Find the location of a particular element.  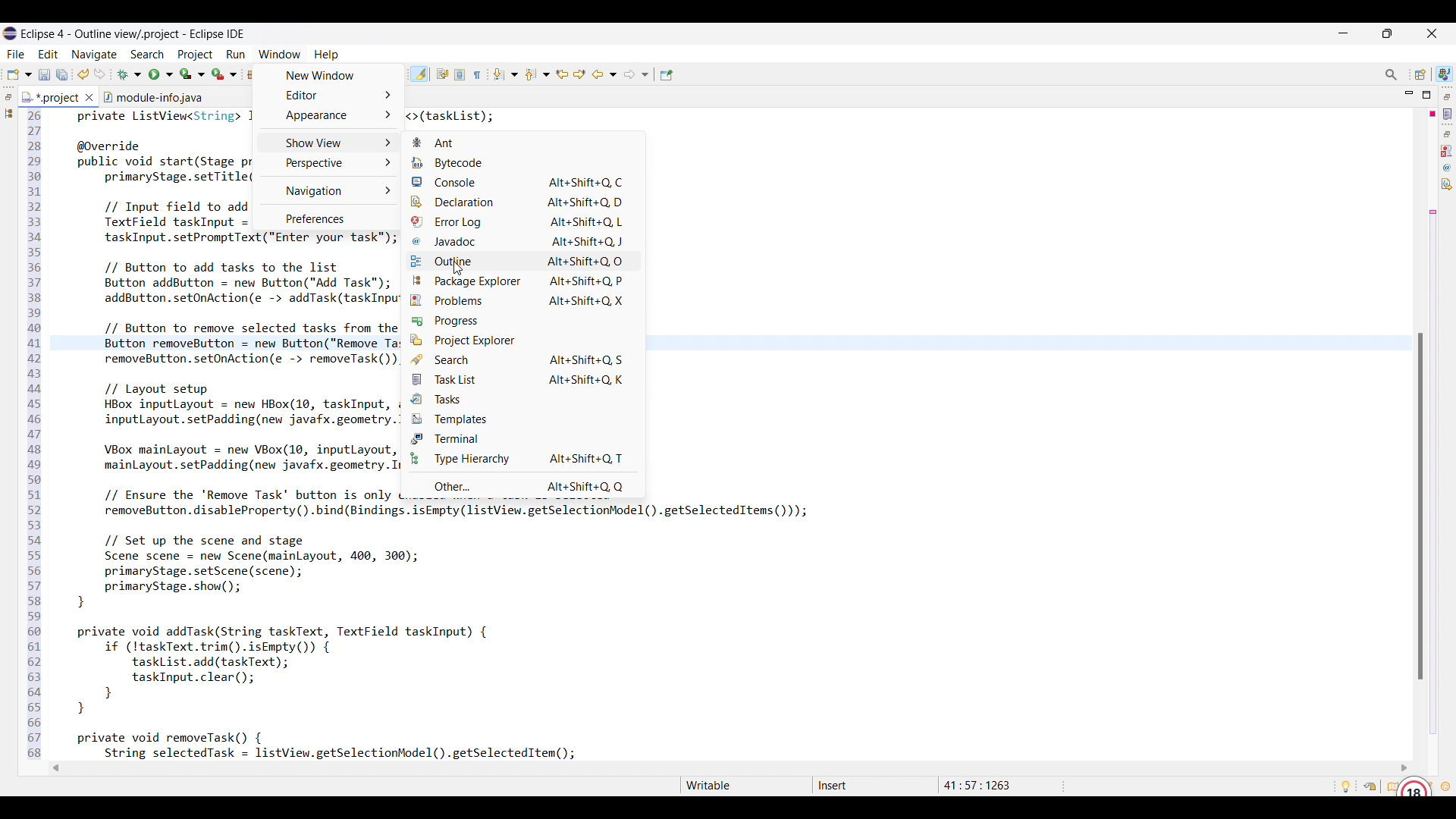

Project name and software name is located at coordinates (133, 34).